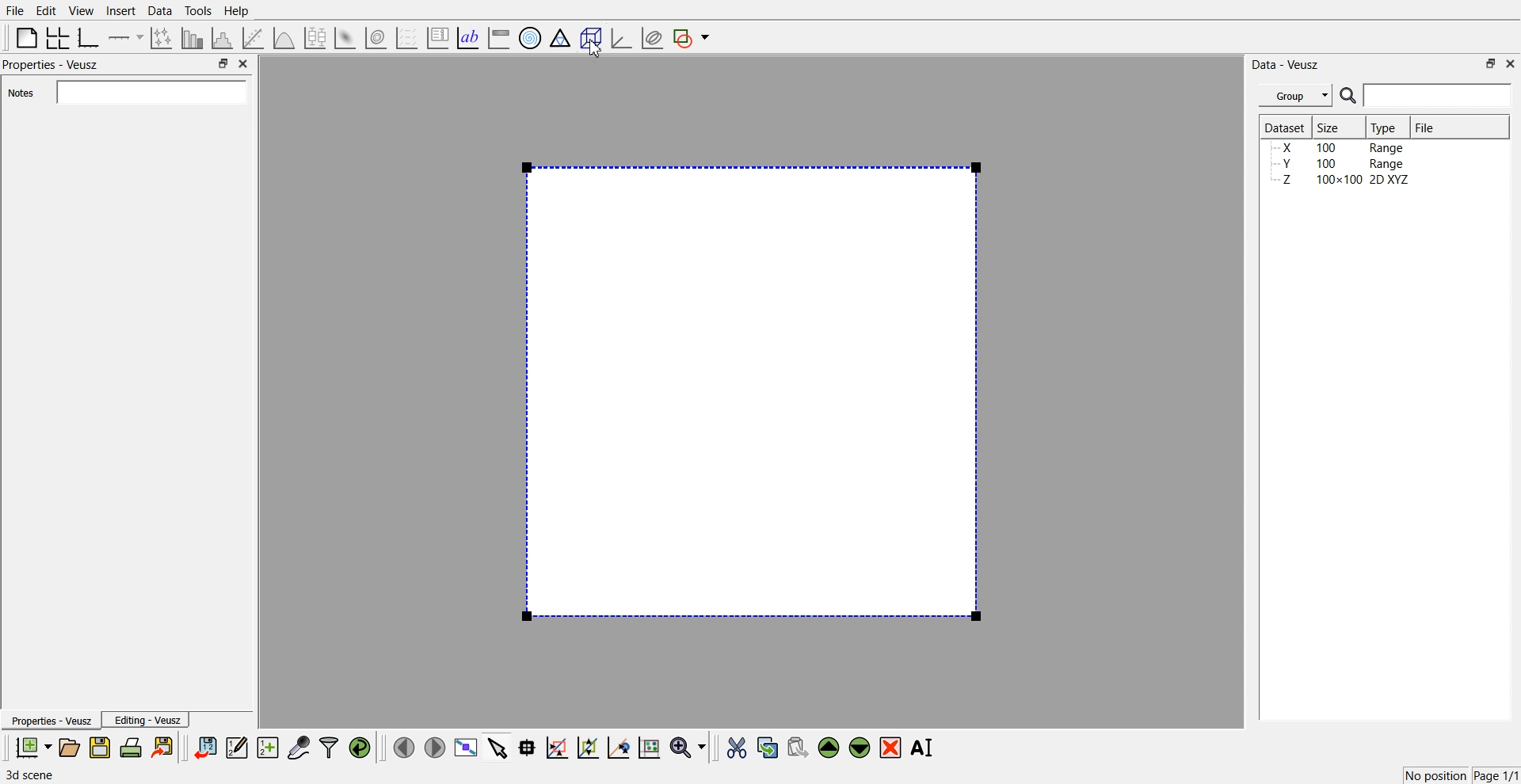 The image size is (1521, 784). I want to click on Plot box plots, so click(315, 38).